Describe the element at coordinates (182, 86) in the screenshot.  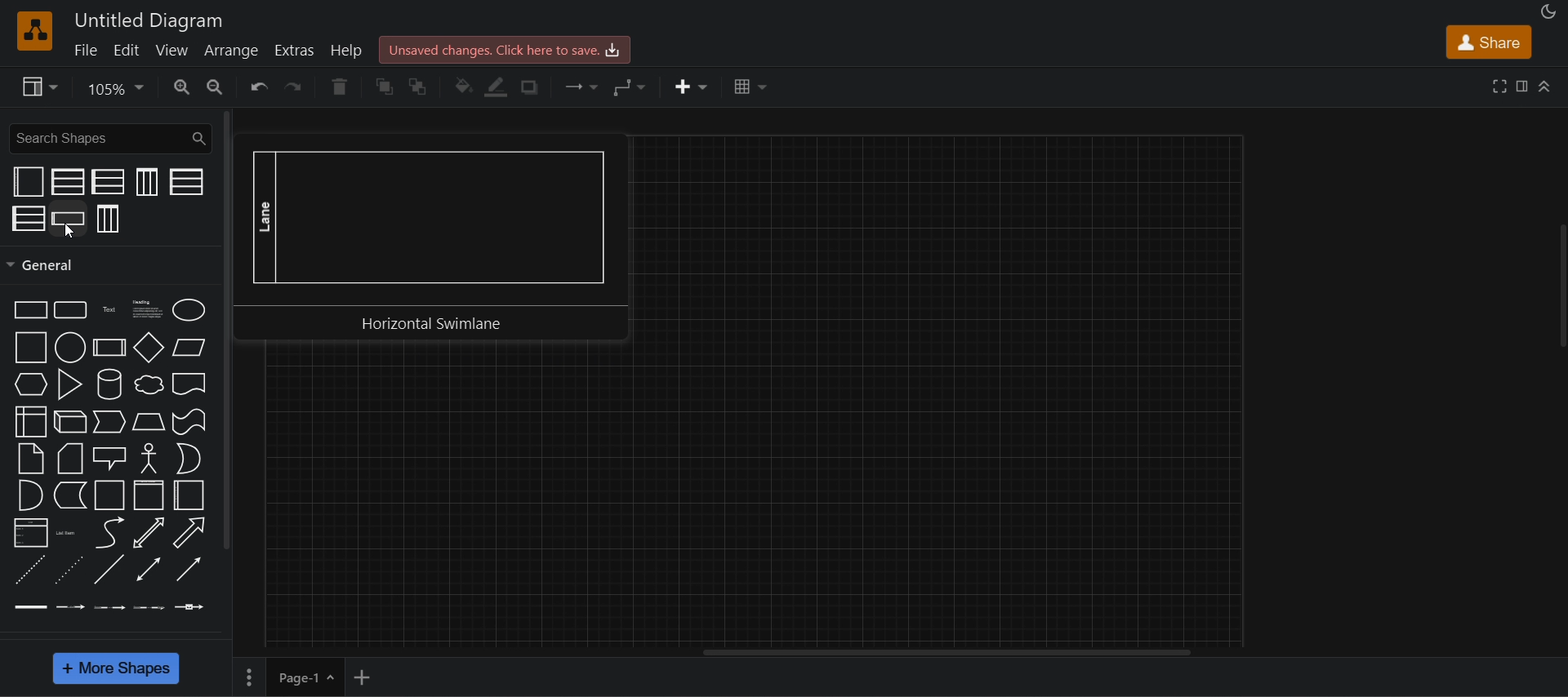
I see `zoom in` at that location.